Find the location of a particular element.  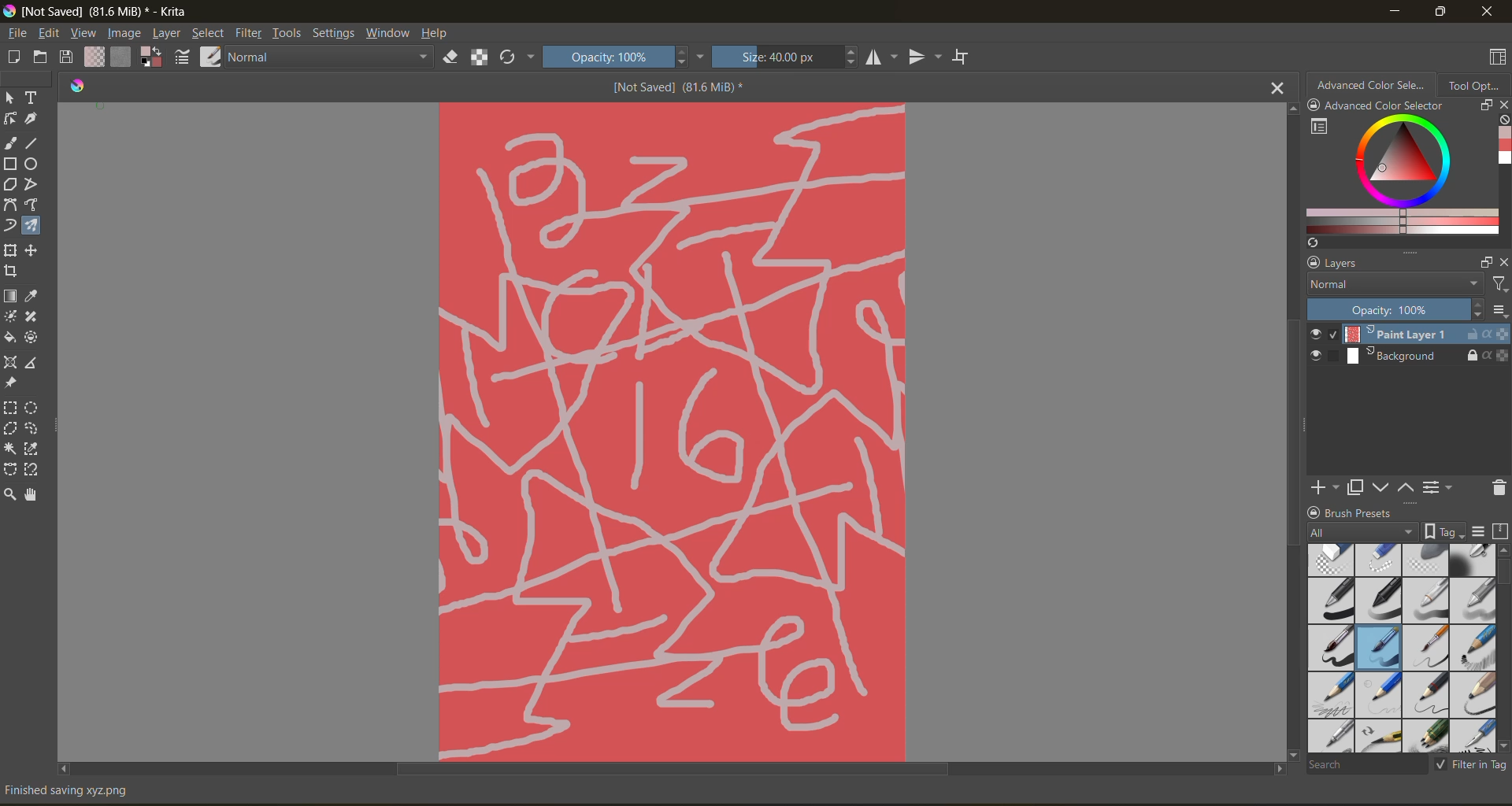

vertical scroll bar is located at coordinates (1503, 648).